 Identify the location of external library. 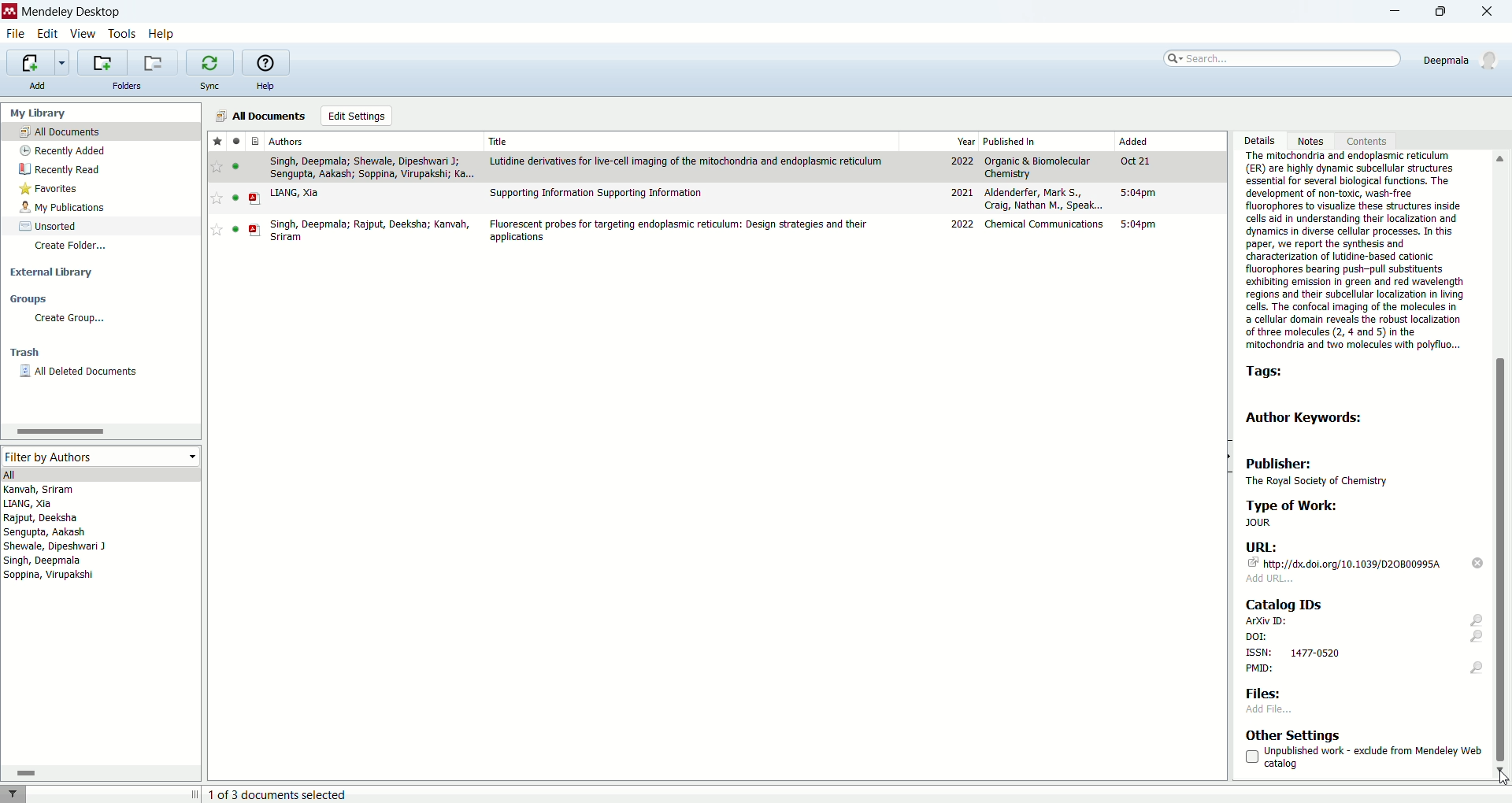
(52, 272).